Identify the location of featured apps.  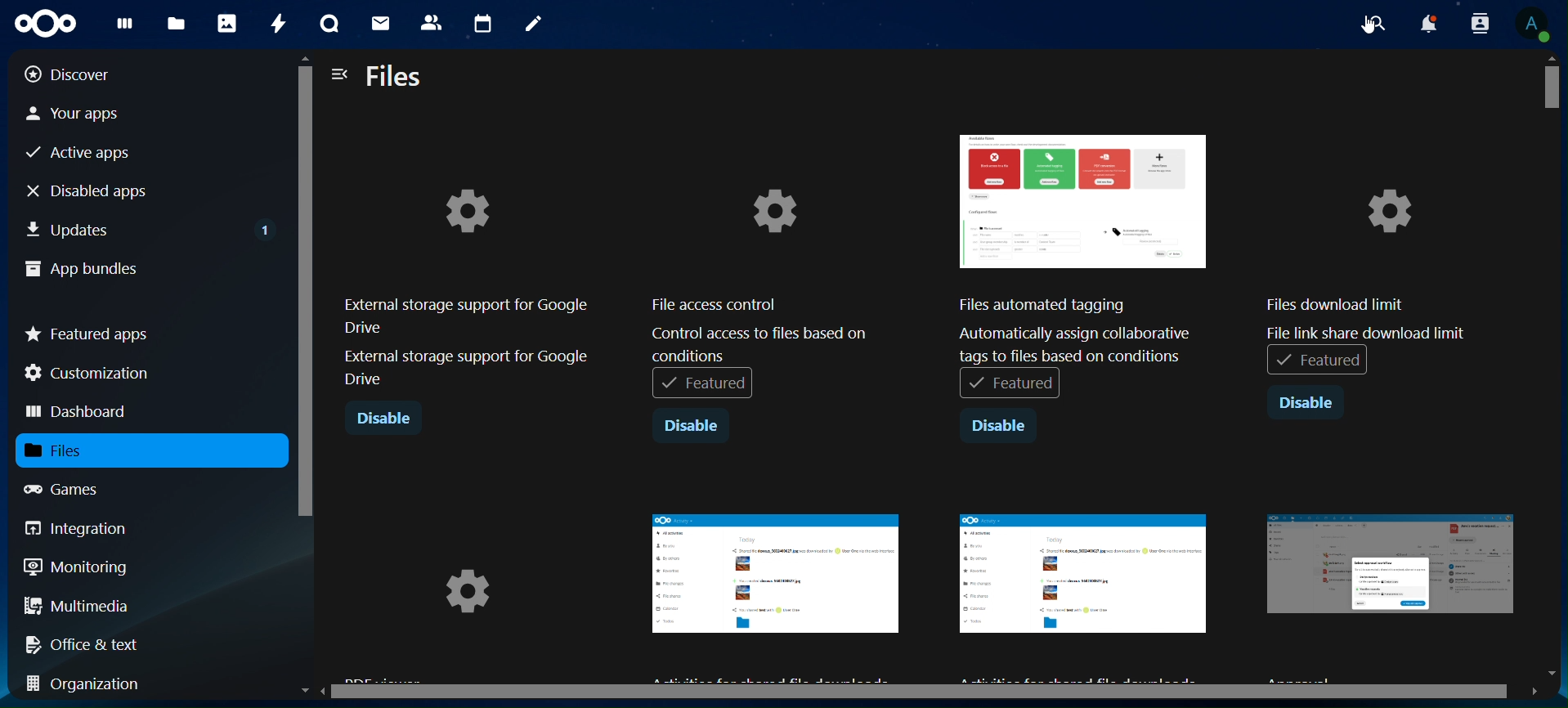
(88, 330).